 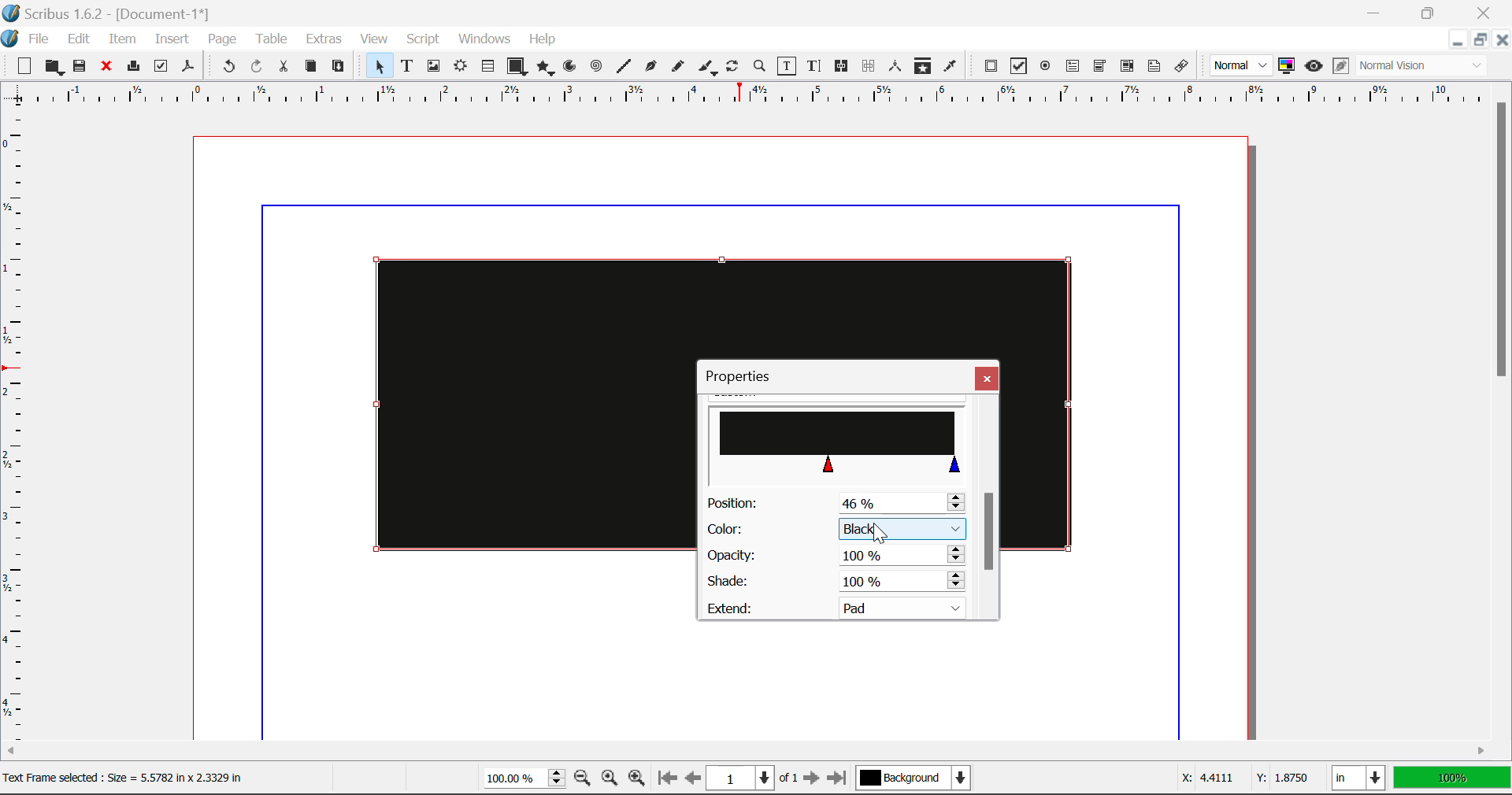 What do you see at coordinates (483, 39) in the screenshot?
I see `Windows` at bounding box center [483, 39].